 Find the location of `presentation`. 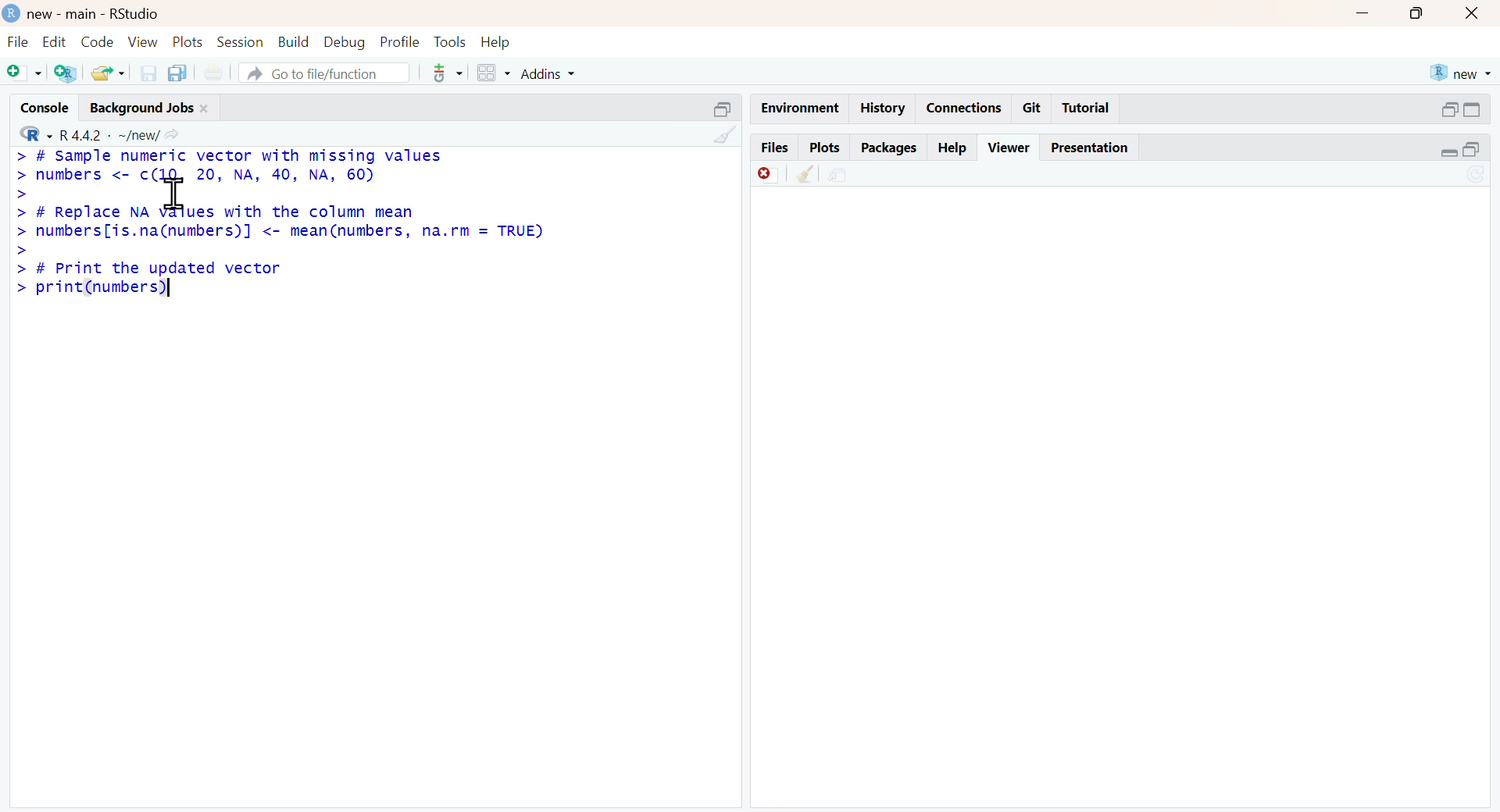

presentation is located at coordinates (1090, 148).